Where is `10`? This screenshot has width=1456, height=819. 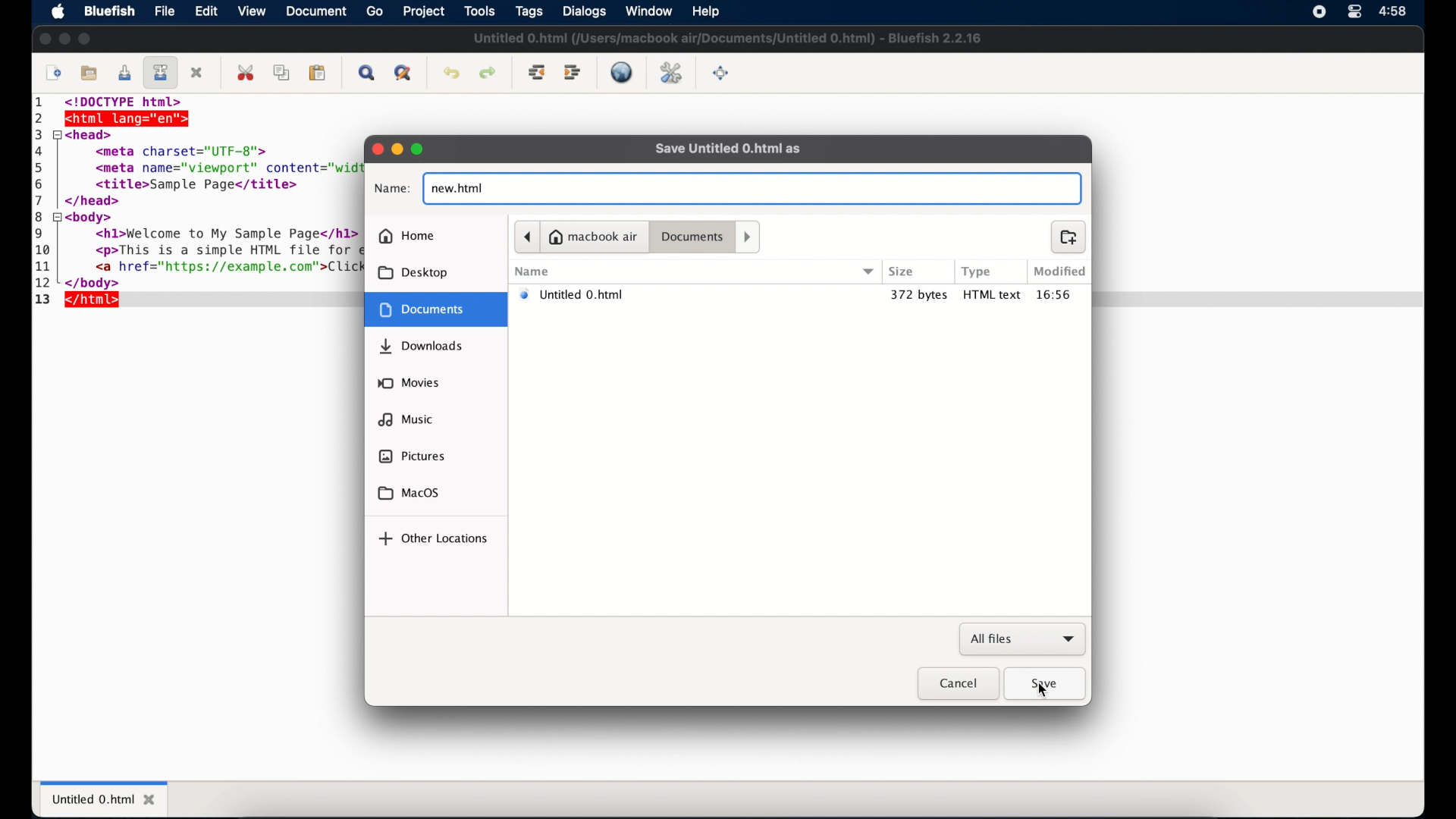 10 is located at coordinates (43, 250).